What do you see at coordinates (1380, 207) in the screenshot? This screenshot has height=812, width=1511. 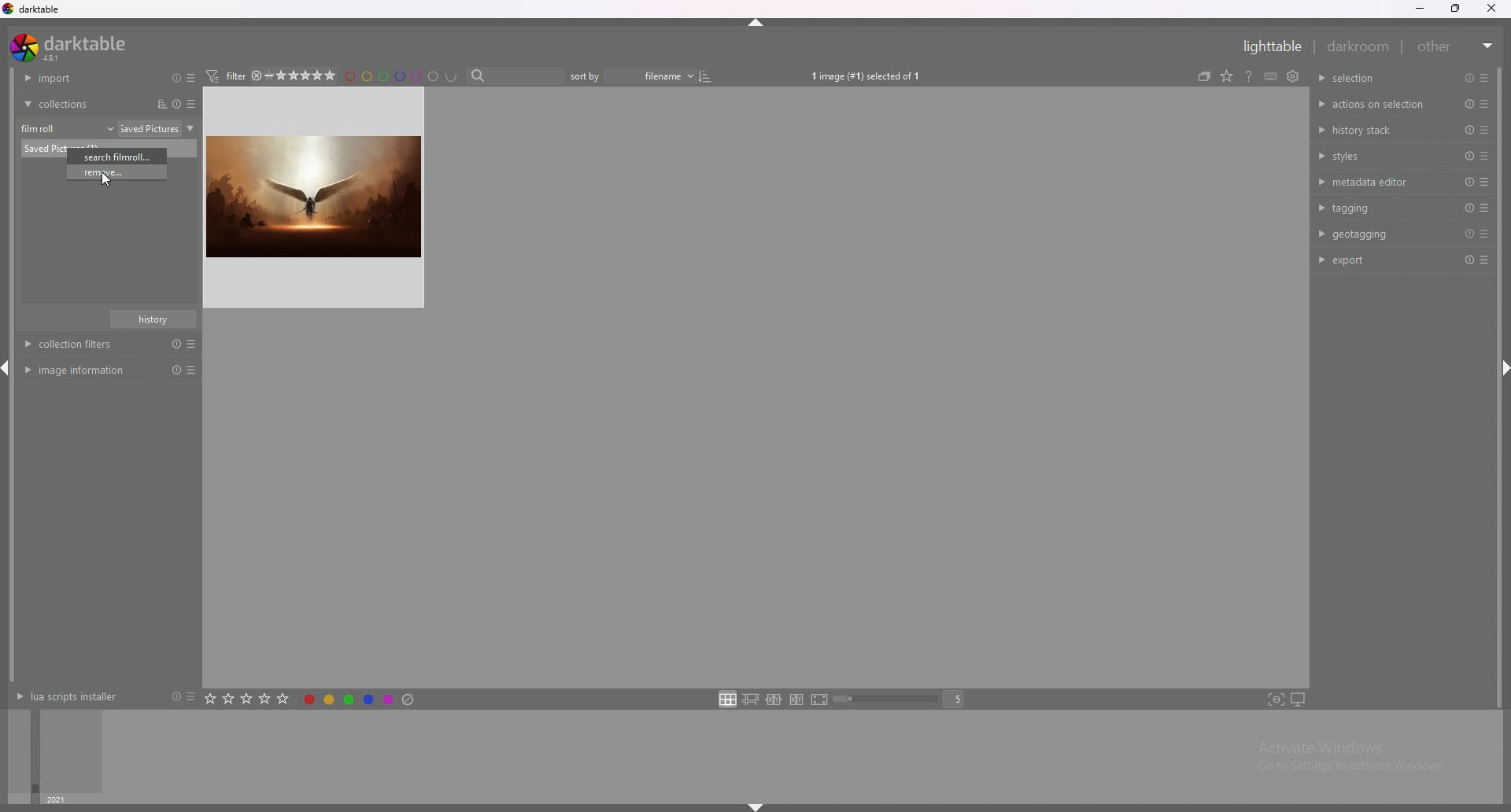 I see `tagging` at bounding box center [1380, 207].